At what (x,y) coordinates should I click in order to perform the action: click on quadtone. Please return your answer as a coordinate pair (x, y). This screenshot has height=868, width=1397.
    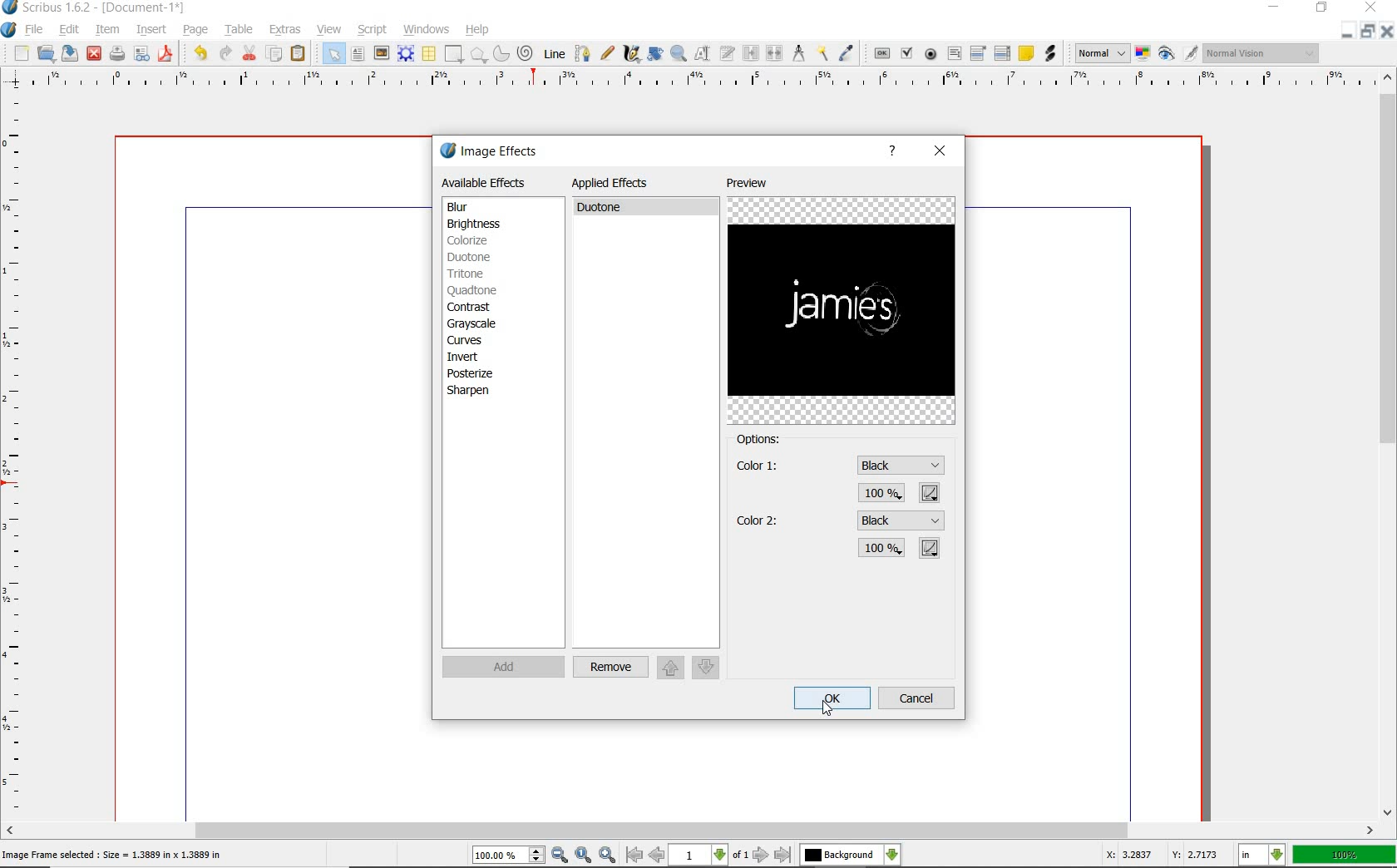
    Looking at the image, I should click on (476, 291).